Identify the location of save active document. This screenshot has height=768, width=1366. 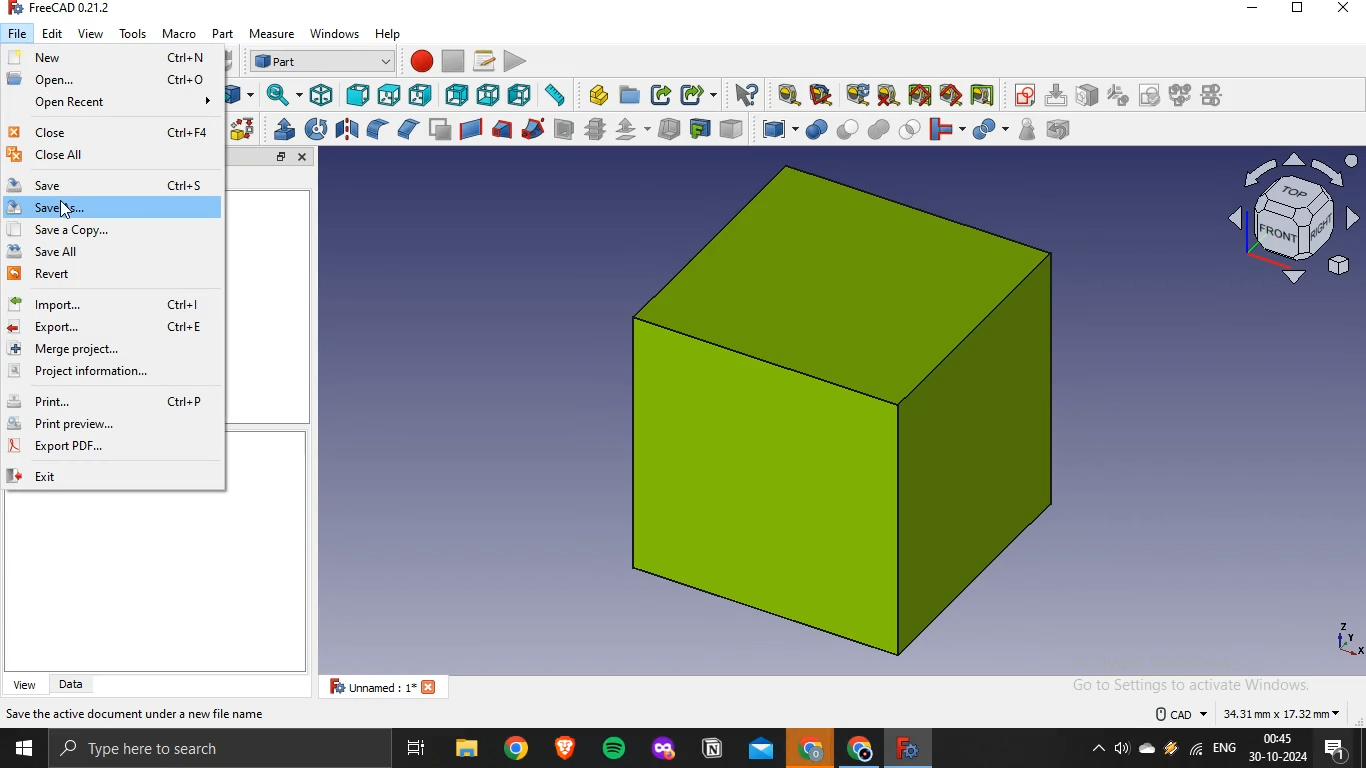
(140, 713).